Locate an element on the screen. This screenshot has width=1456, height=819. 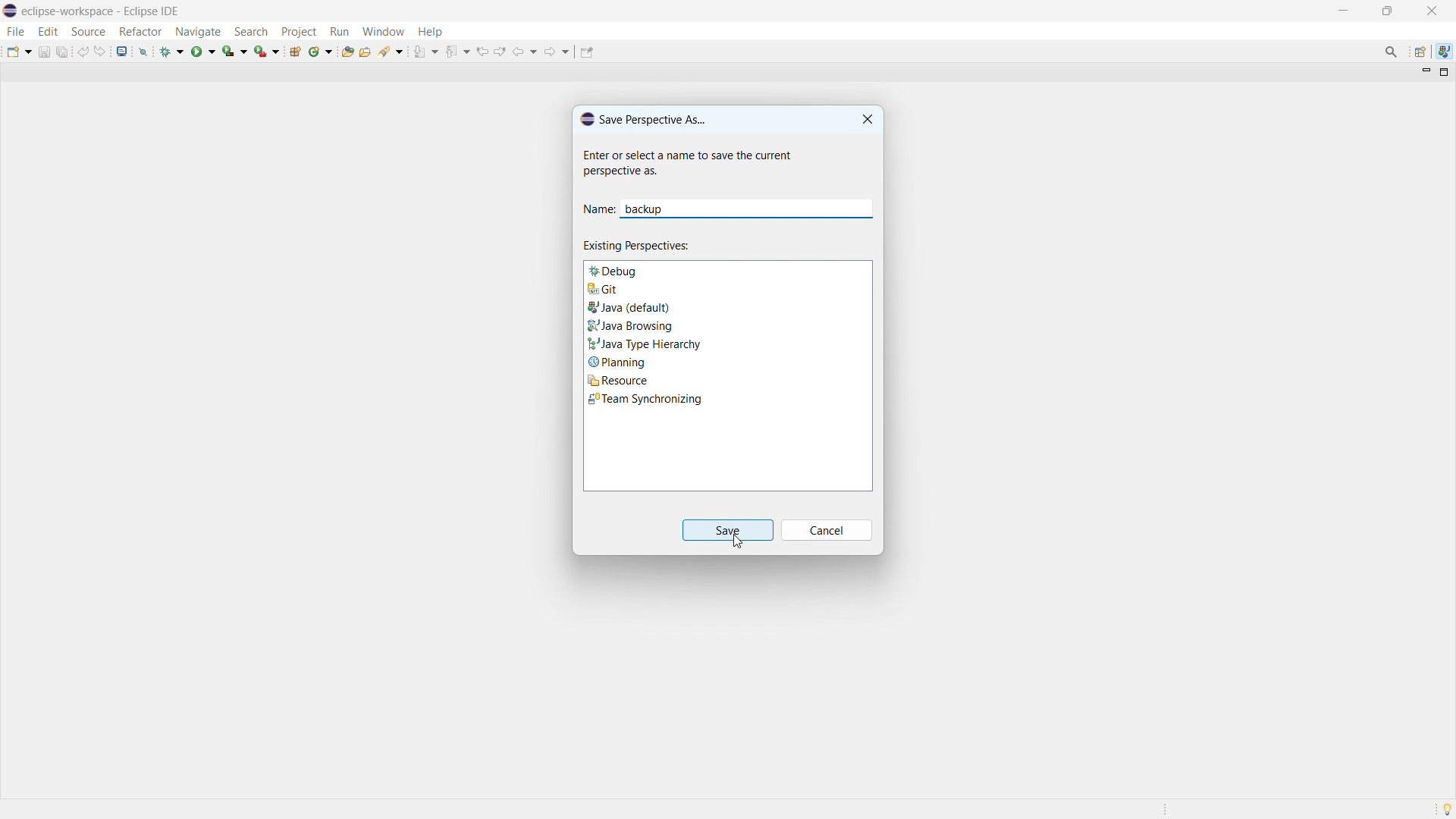
close is located at coordinates (1431, 11).